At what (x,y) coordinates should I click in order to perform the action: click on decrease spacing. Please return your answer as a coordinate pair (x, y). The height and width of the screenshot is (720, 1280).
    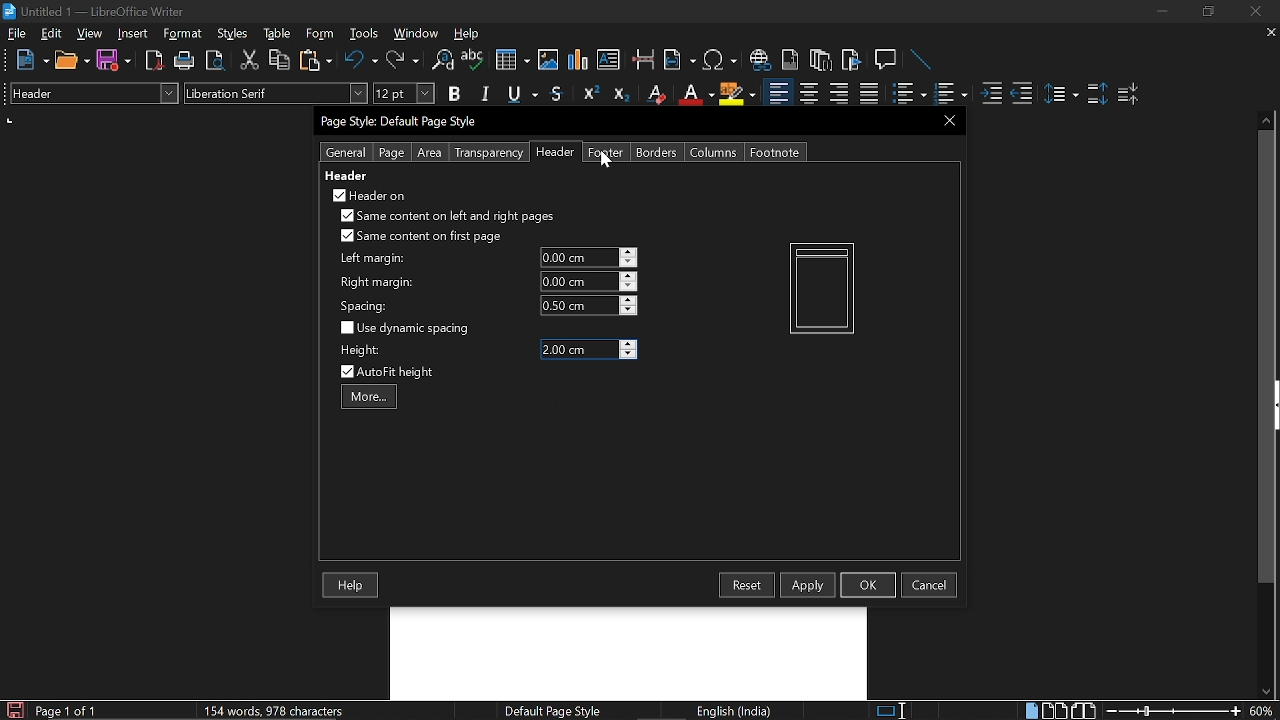
    Looking at the image, I should click on (628, 311).